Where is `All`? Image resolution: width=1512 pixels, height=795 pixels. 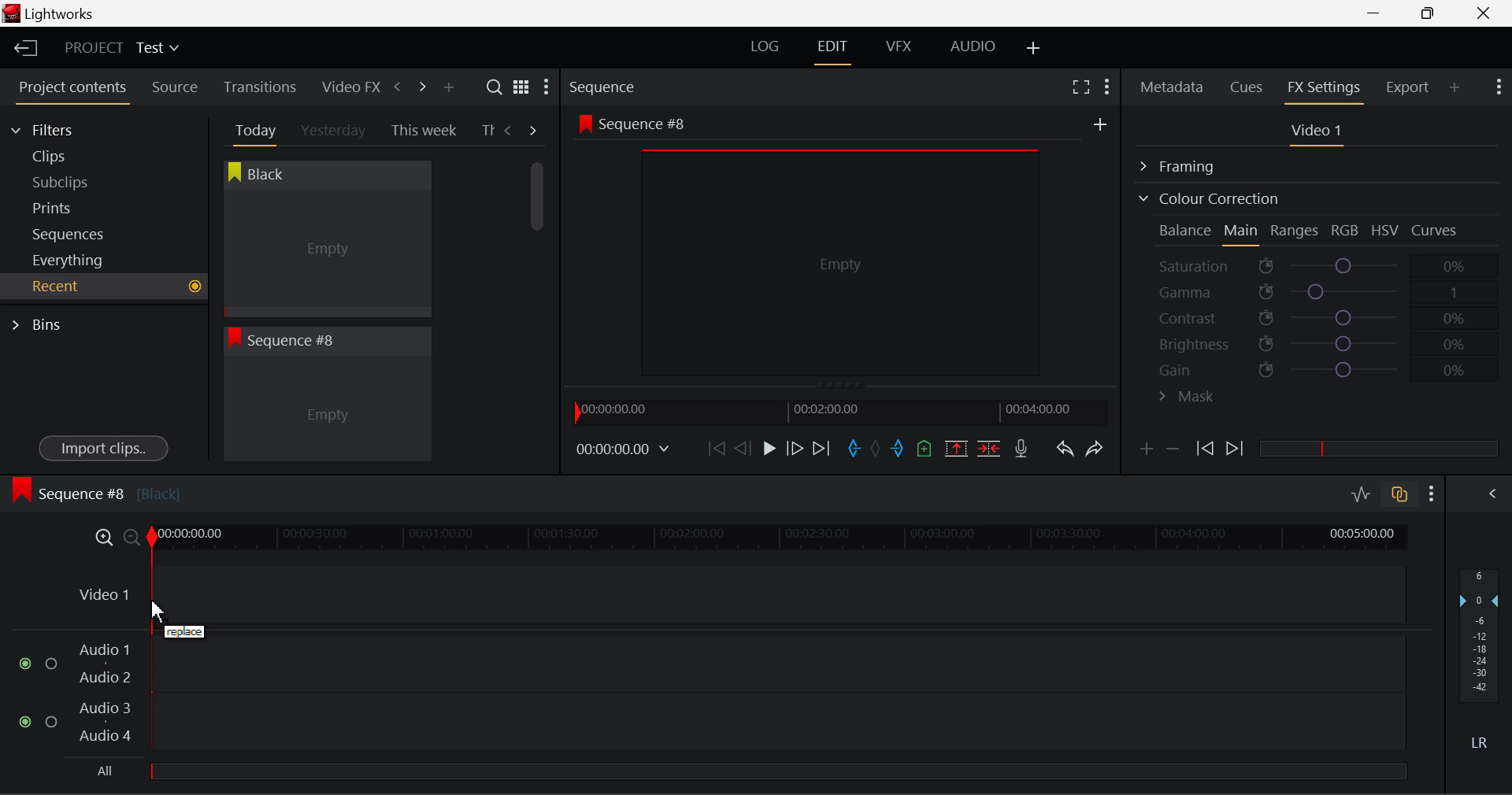 All is located at coordinates (104, 769).